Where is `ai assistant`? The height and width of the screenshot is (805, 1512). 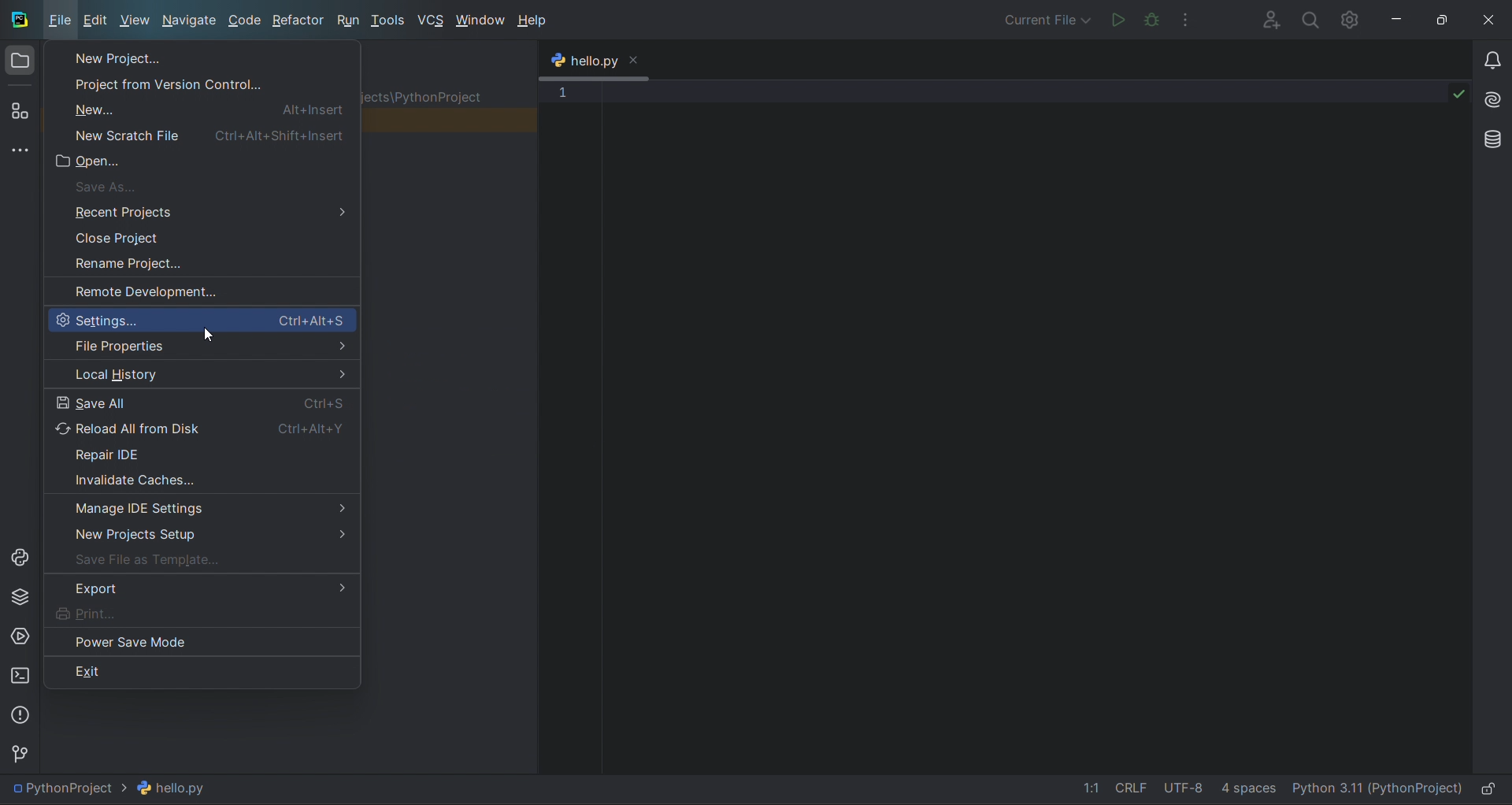
ai assistant is located at coordinates (1492, 98).